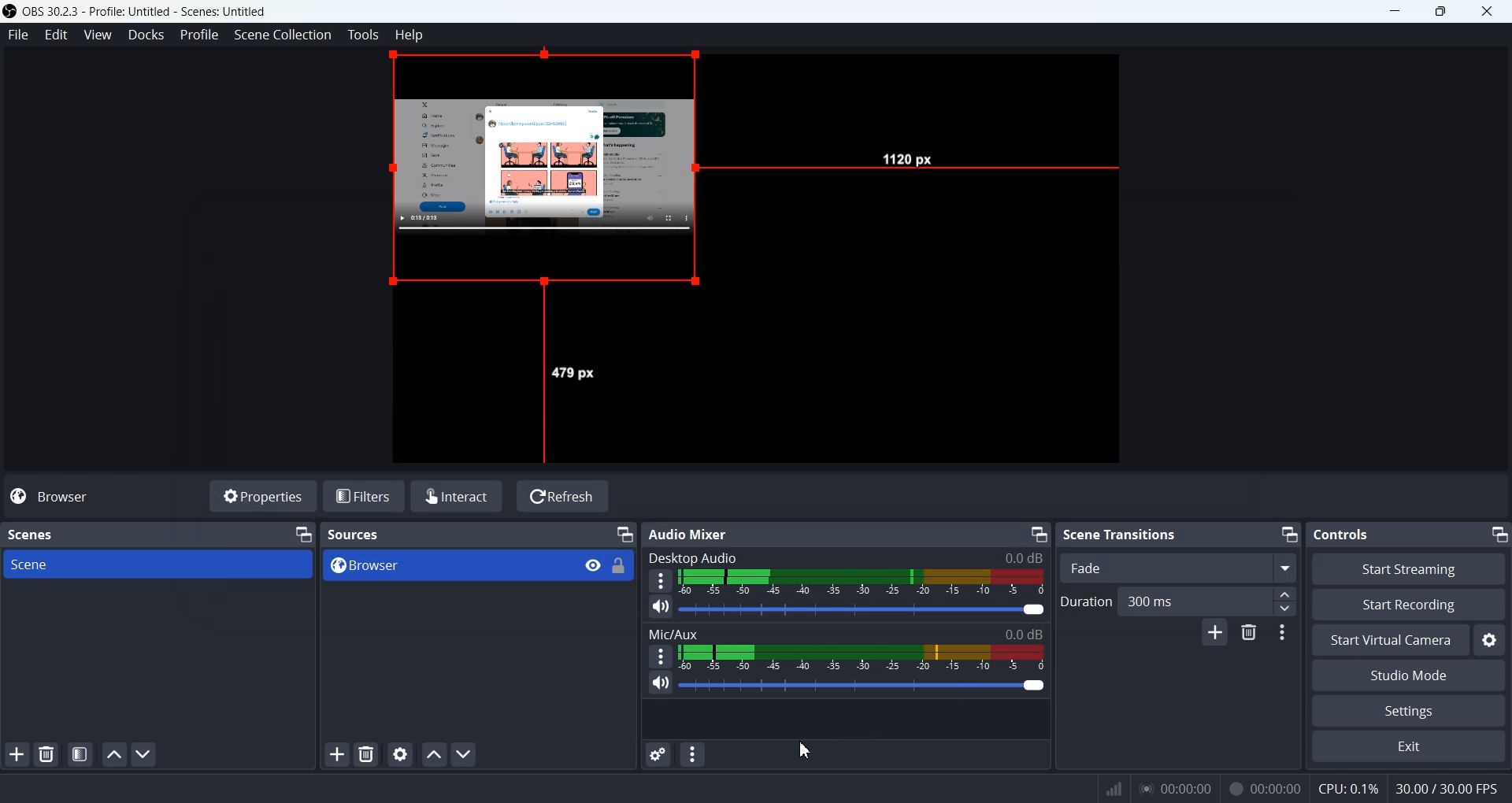  What do you see at coordinates (576, 373) in the screenshot?
I see `479 px` at bounding box center [576, 373].